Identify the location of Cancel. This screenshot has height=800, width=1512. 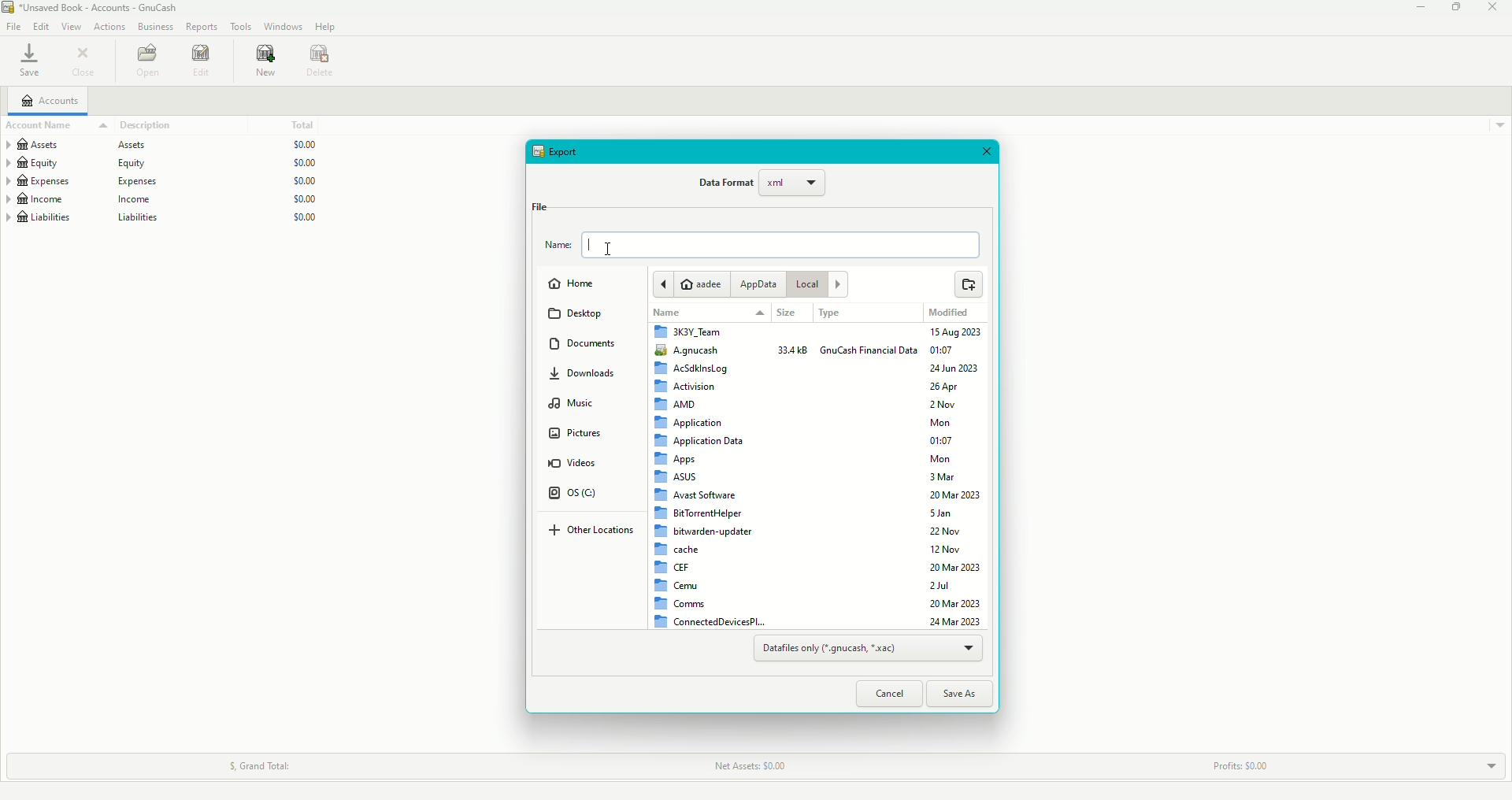
(888, 694).